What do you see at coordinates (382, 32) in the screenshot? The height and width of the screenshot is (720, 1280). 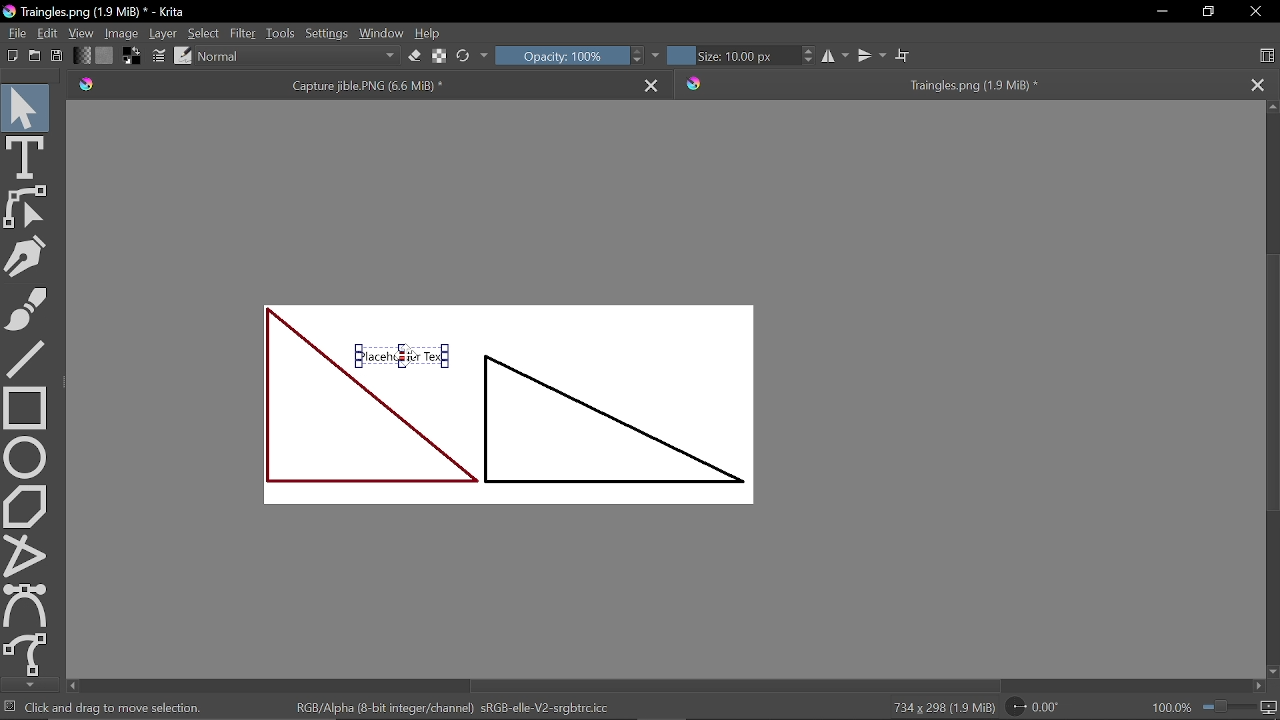 I see `Window` at bounding box center [382, 32].